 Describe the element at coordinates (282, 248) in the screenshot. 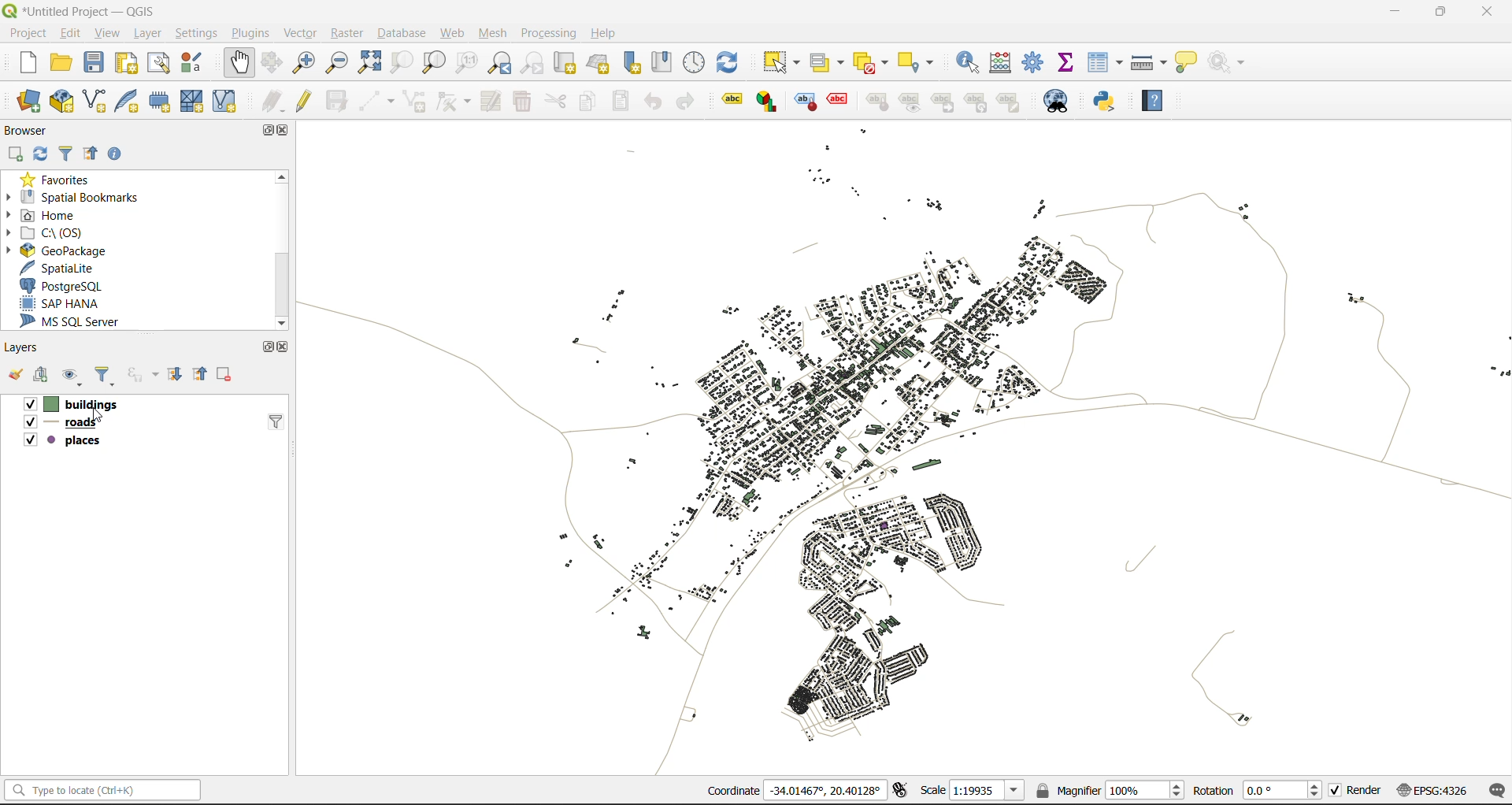

I see `scrollbar` at that location.